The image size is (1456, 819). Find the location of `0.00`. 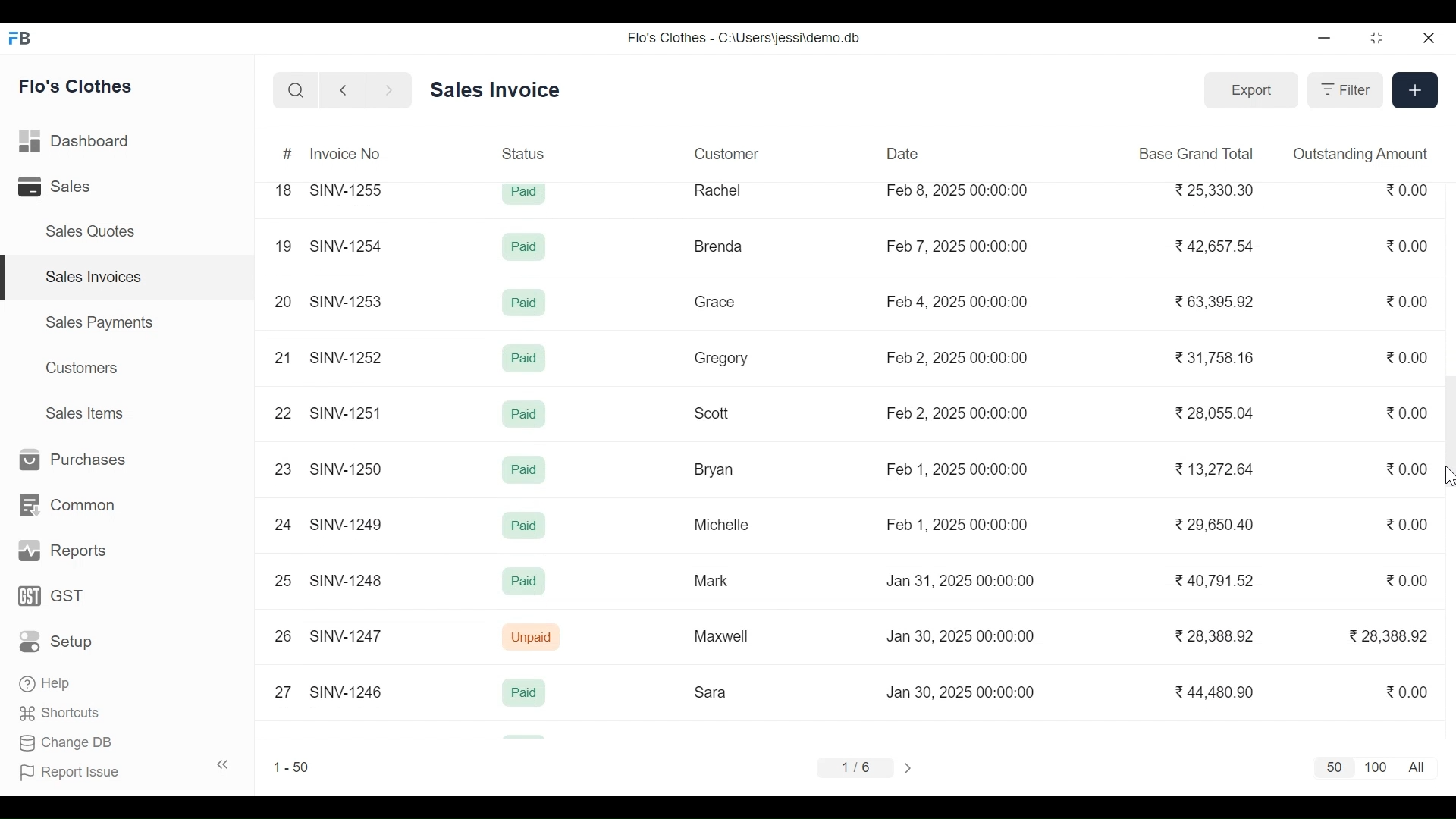

0.00 is located at coordinates (1409, 246).